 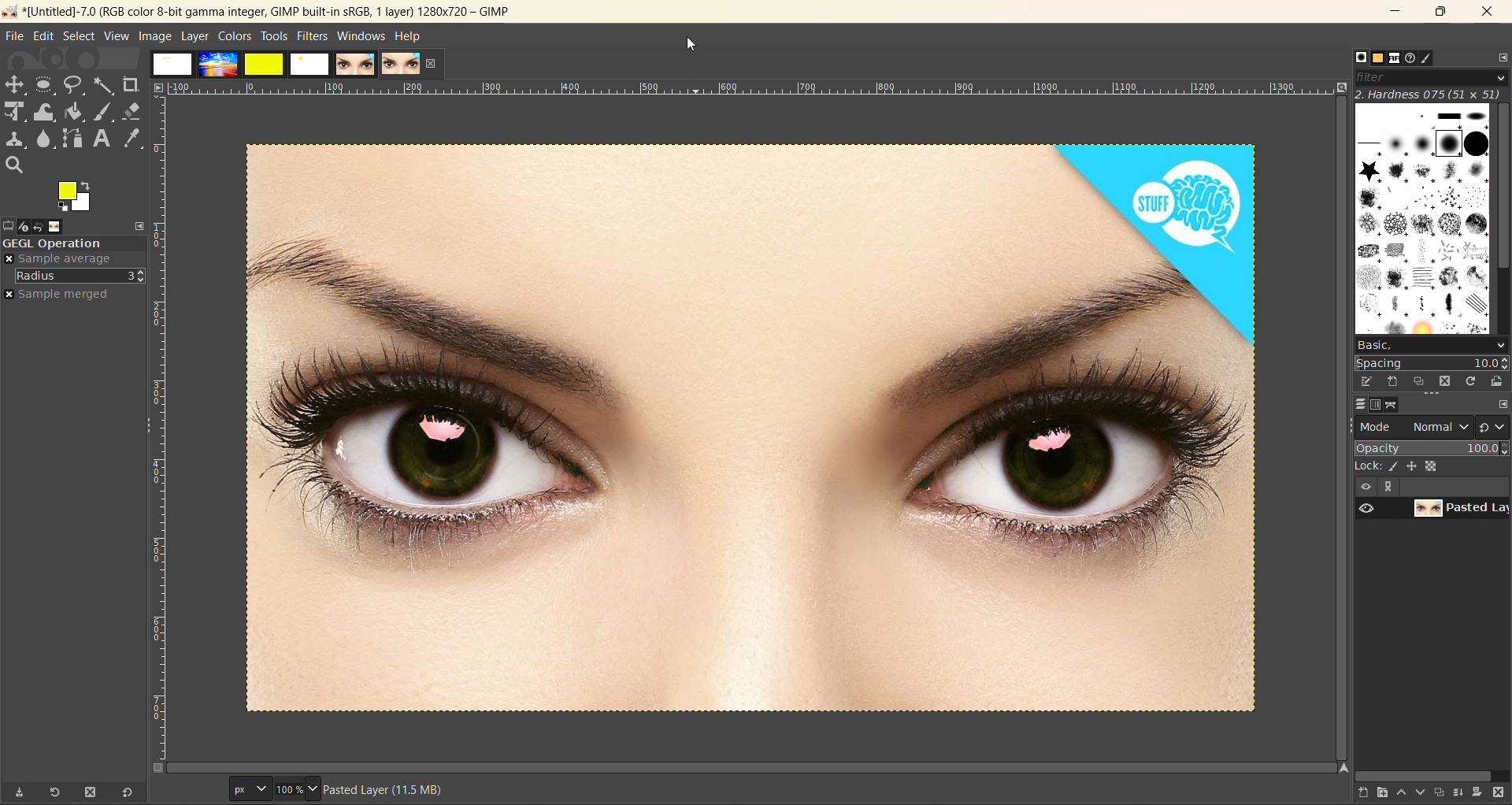 What do you see at coordinates (234, 38) in the screenshot?
I see `colors` at bounding box center [234, 38].